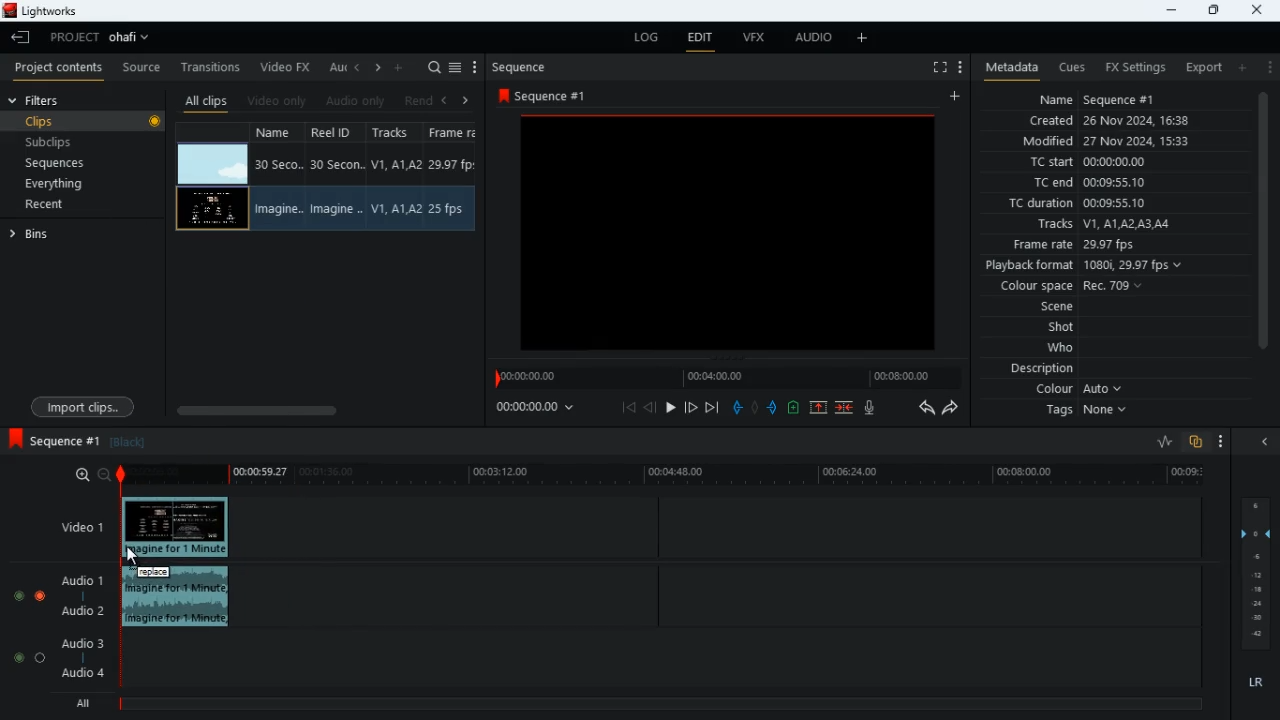  What do you see at coordinates (85, 584) in the screenshot?
I see `audio 1` at bounding box center [85, 584].